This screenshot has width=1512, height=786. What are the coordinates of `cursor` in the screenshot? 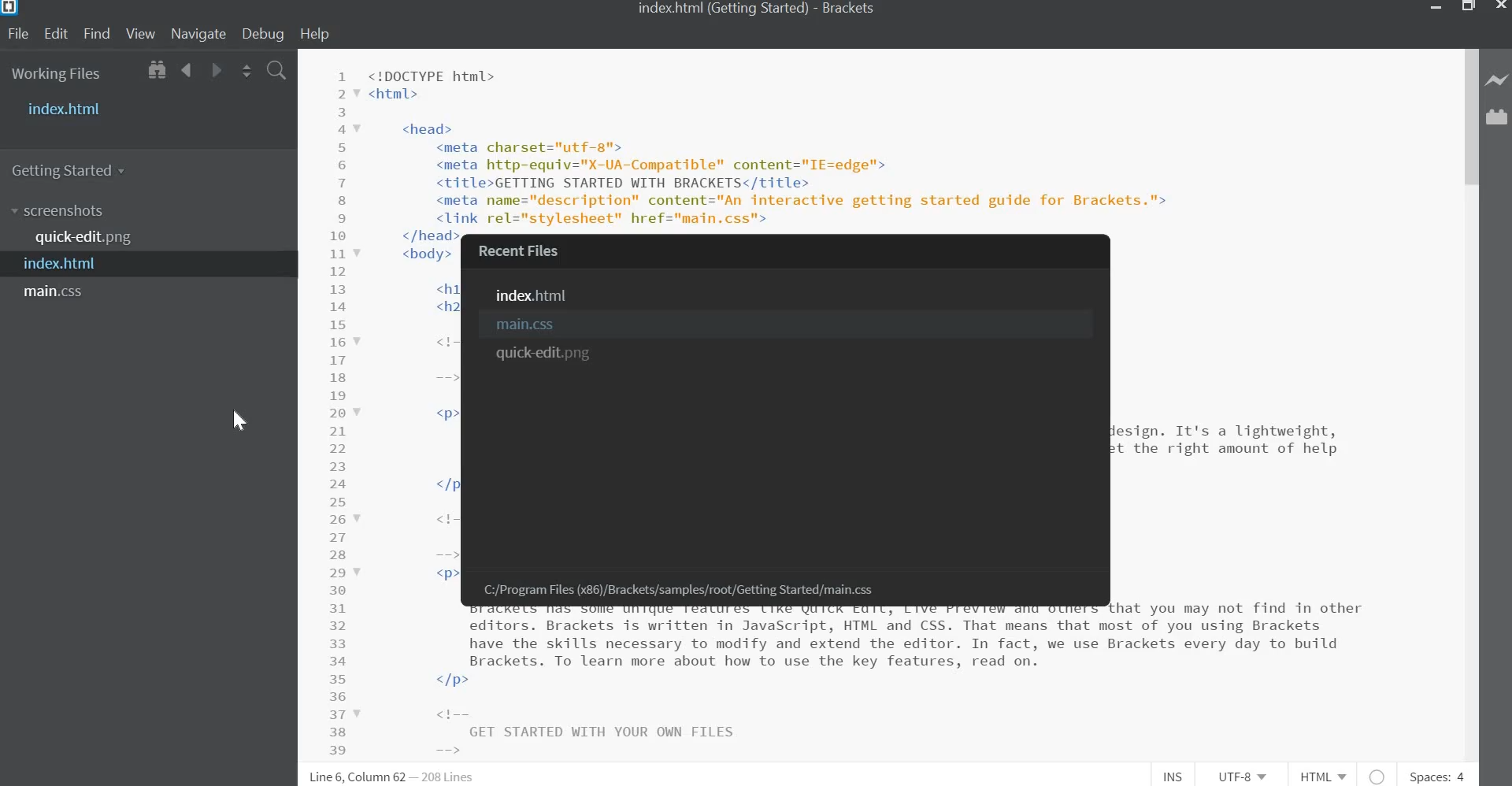 It's located at (236, 418).